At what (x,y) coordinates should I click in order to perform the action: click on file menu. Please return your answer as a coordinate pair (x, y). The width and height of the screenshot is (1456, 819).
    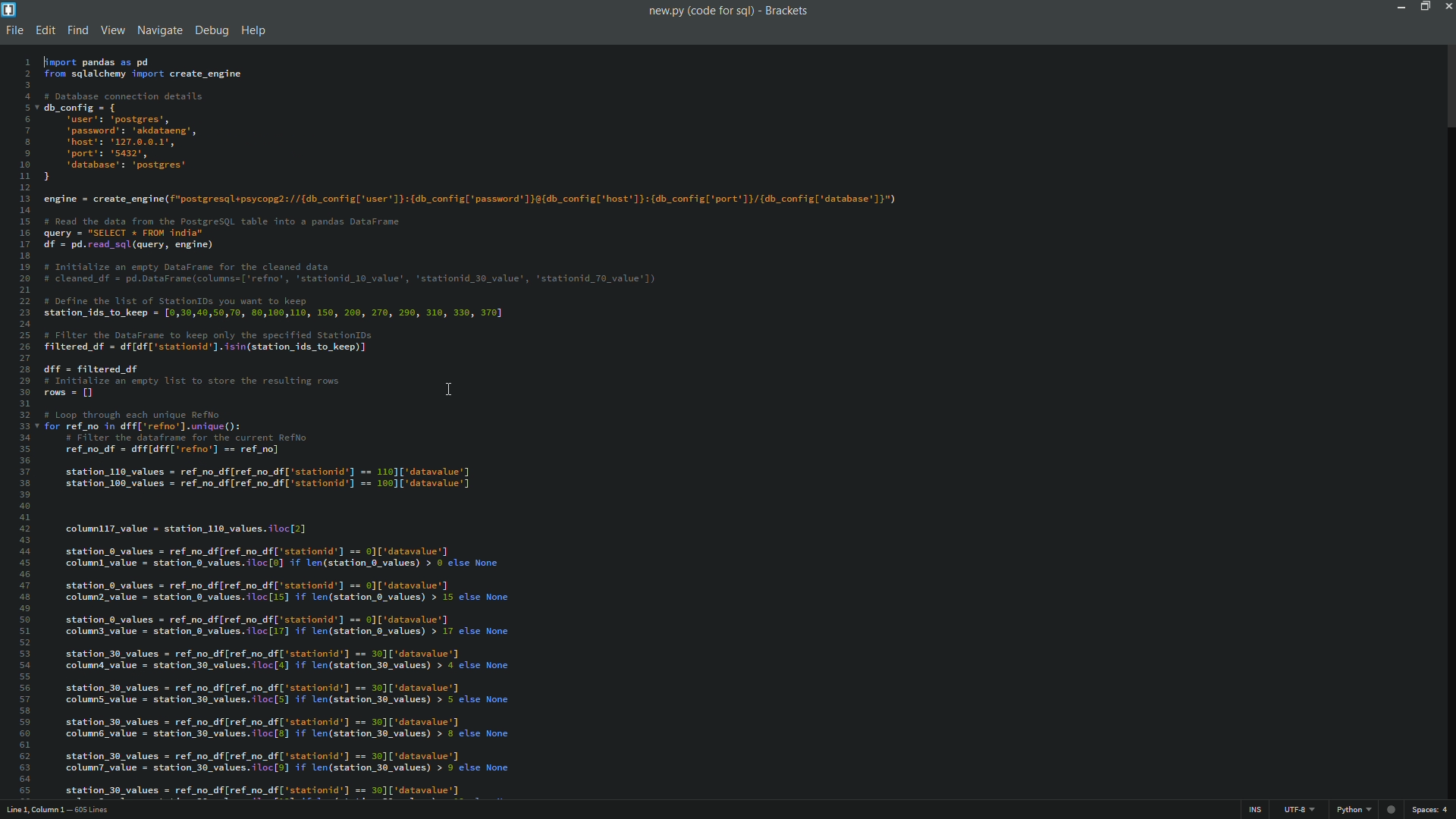
    Looking at the image, I should click on (14, 30).